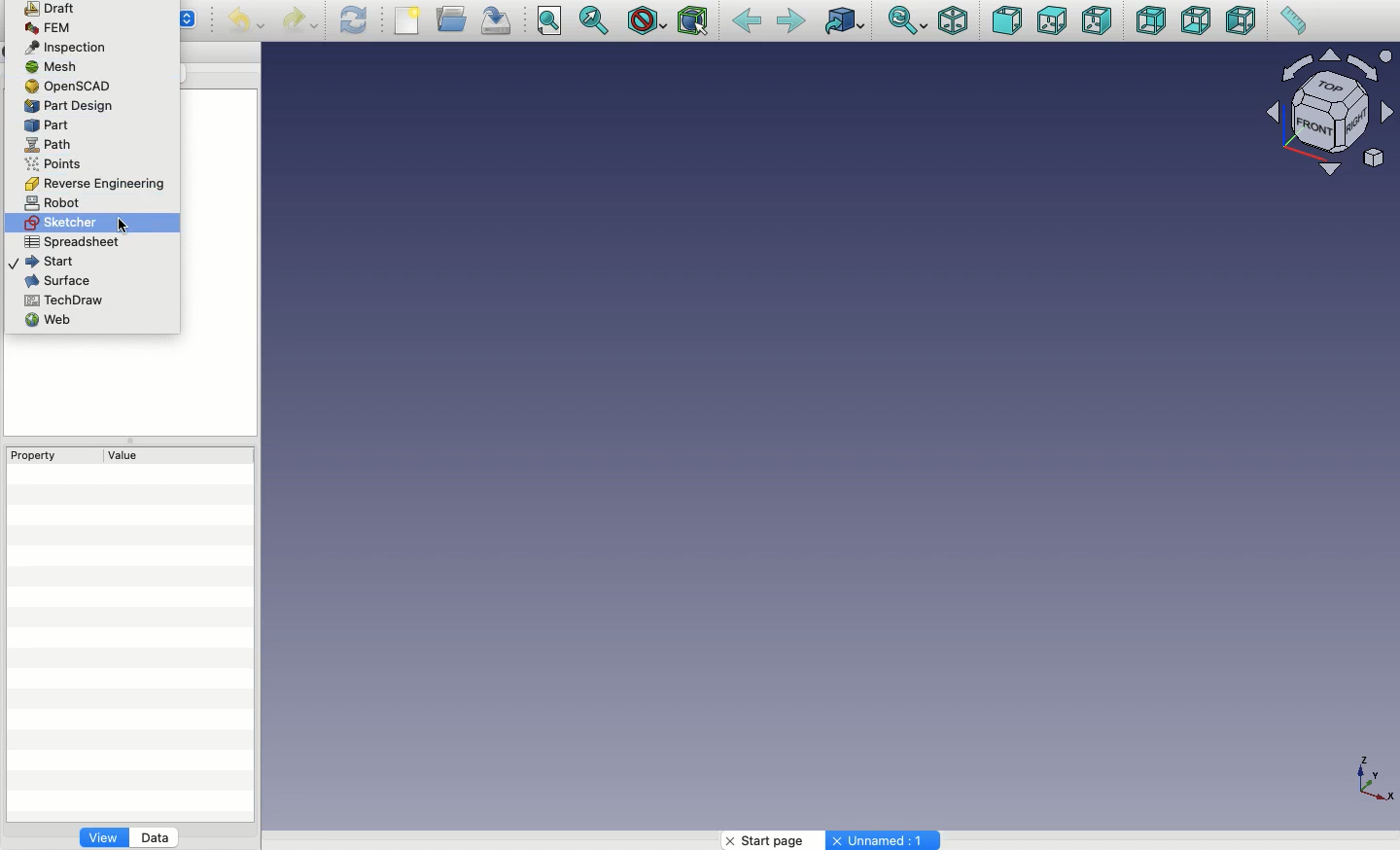 The width and height of the screenshot is (1400, 850). I want to click on Bottom, so click(1196, 22).